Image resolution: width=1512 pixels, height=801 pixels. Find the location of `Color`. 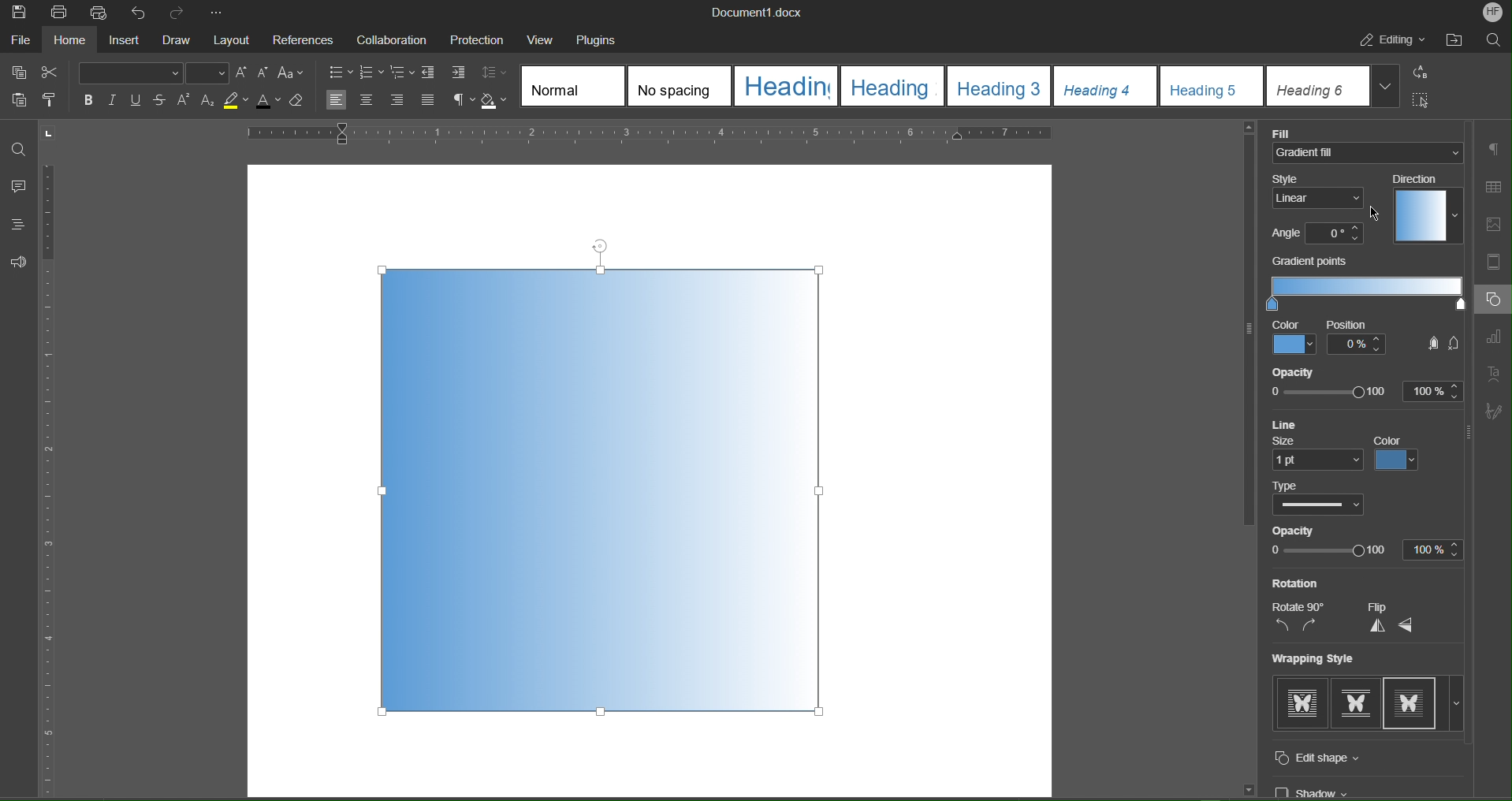

Color is located at coordinates (1394, 439).